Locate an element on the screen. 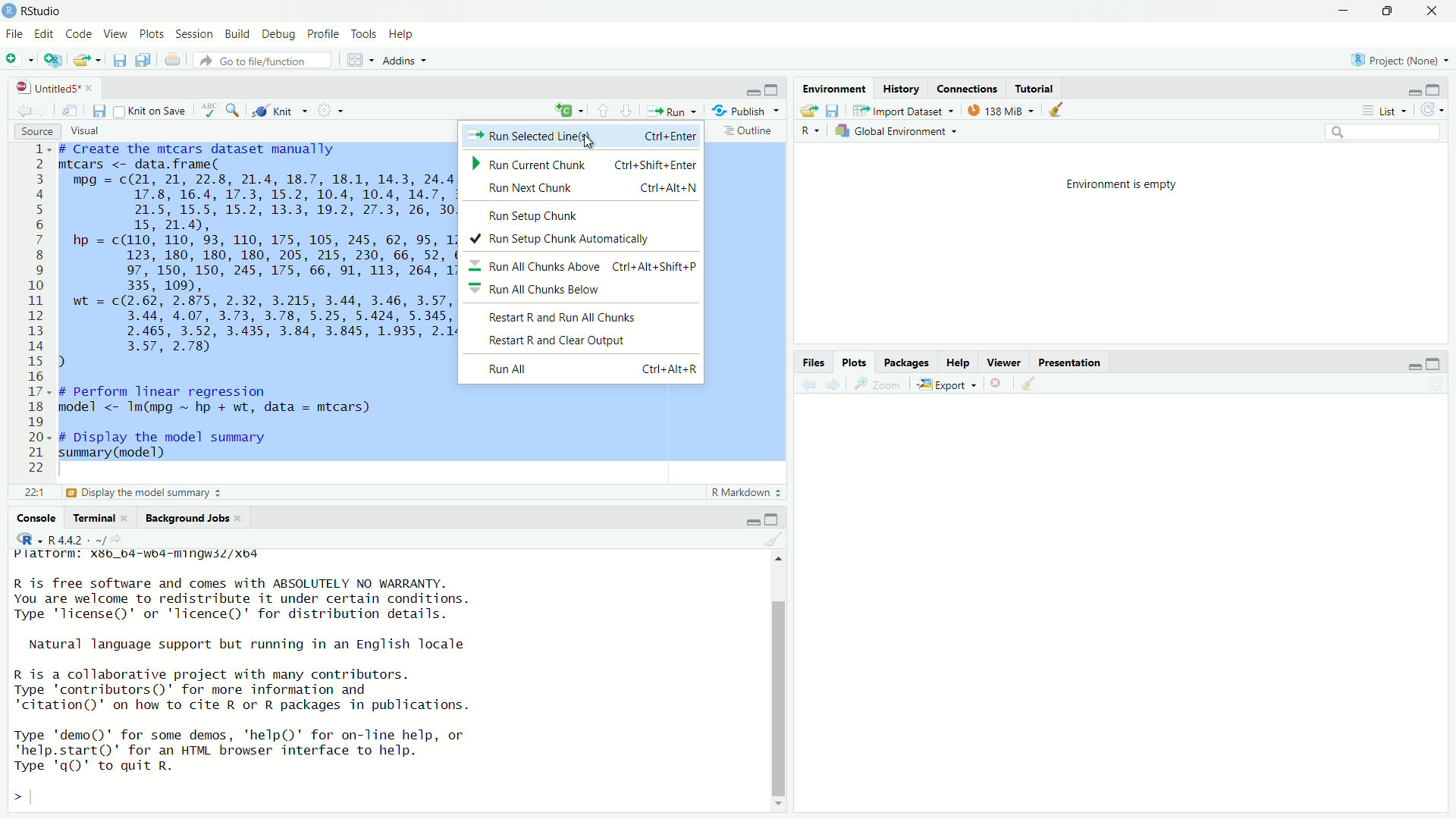  Platrorm: X3b_b4-wb4-mingwsZ/Xo4

R is free software and comes with ABSOLUTELY NO WARRANTY.

You are welcome to redistribute it under certain conditions.

Type 'license()' or 'licence()' for distribution details.
Natural language support but running in an English locale

R is a collaborative project with many contributors.

Type 'contributors()' for more information and

"citation()' on how to cite R or R packages in publications.

Type 'demo()' for some demos, ‘help()' for on-Tine help, or

'help.start()' for an HTML browser interface to help.

Type 'q()' to quit R. is located at coordinates (243, 662).